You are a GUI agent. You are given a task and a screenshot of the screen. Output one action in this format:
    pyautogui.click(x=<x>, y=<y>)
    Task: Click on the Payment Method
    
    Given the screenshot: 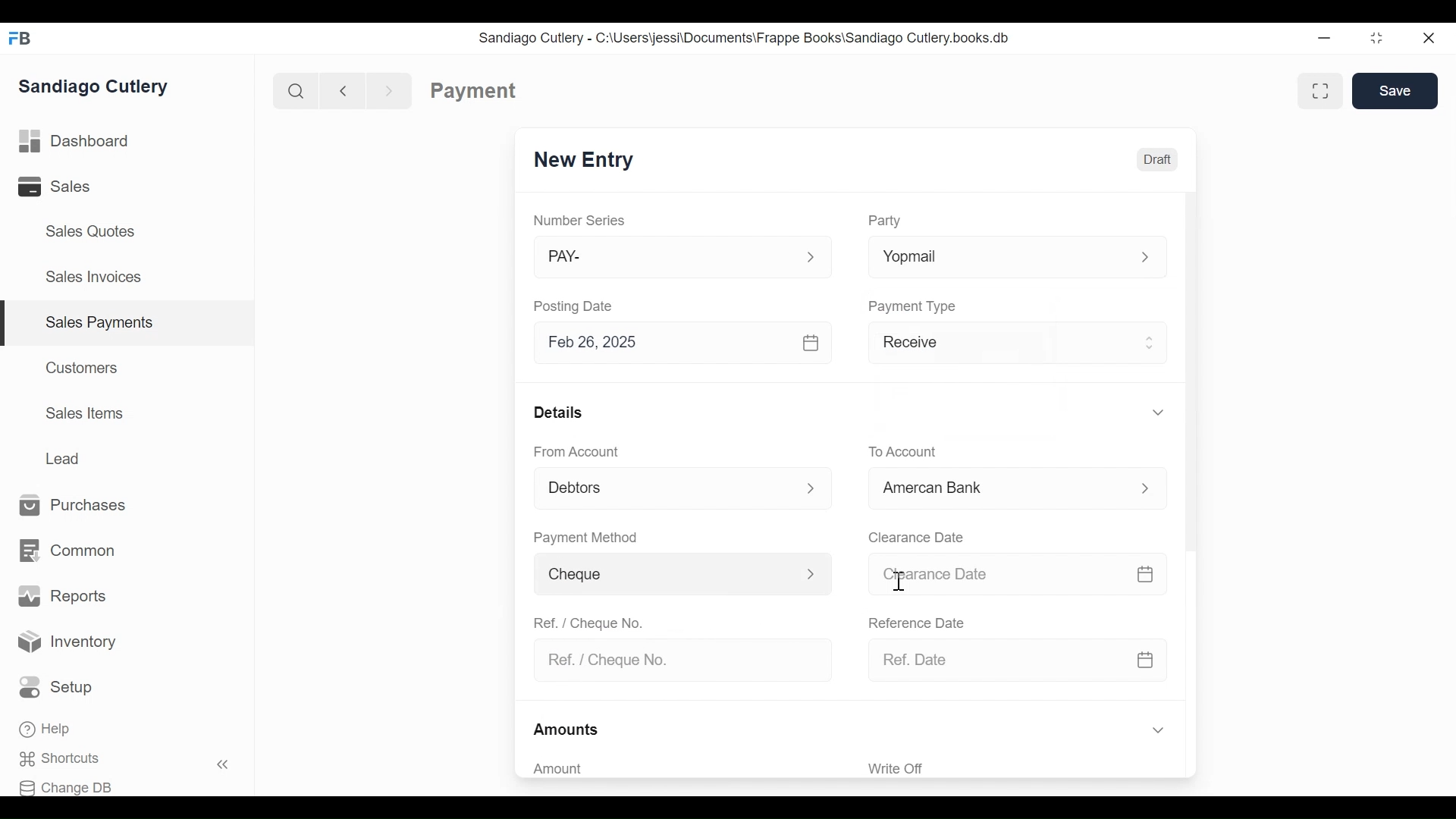 What is the action you would take?
    pyautogui.click(x=585, y=538)
    